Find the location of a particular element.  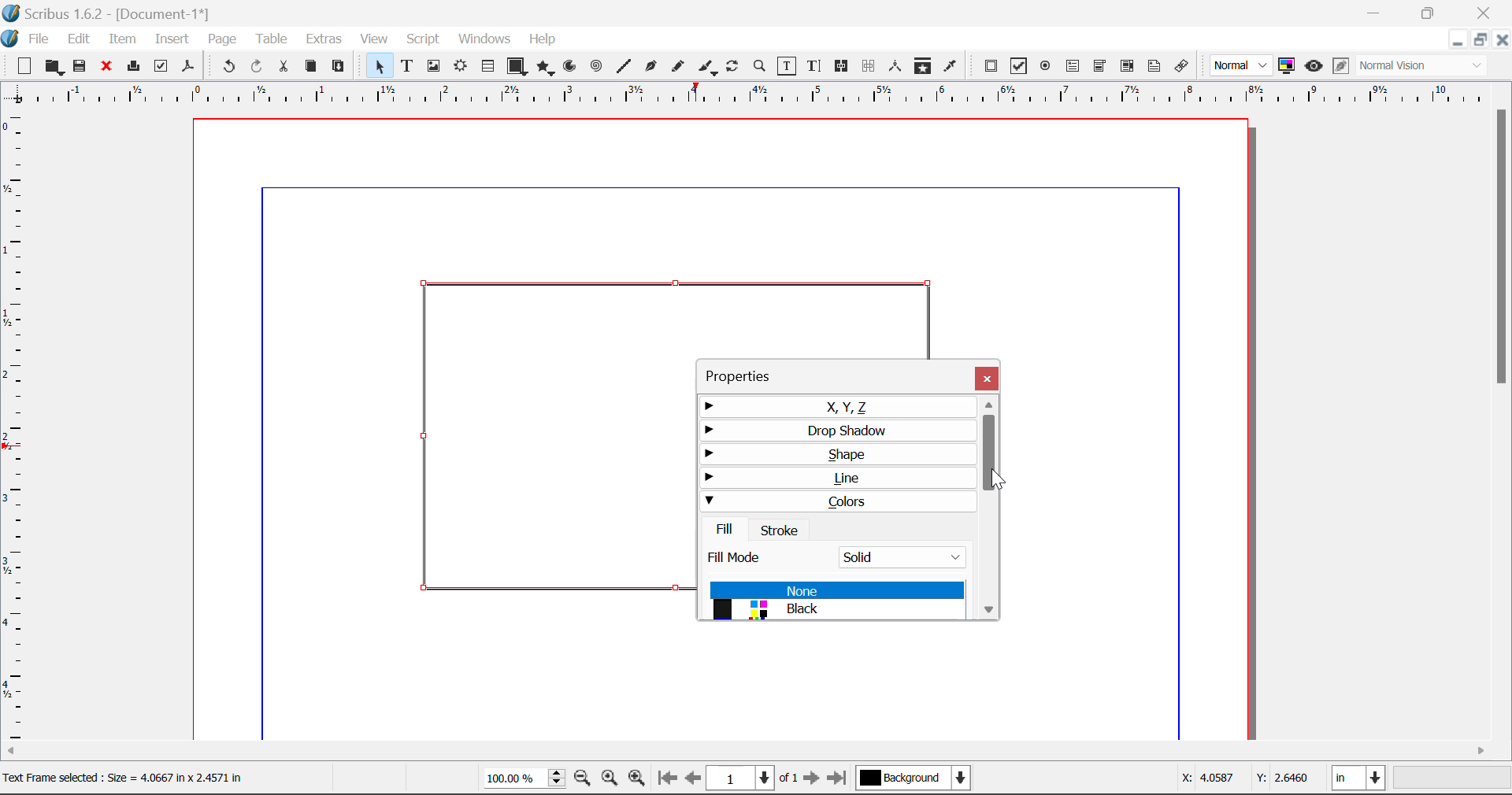

Line is located at coordinates (838, 478).